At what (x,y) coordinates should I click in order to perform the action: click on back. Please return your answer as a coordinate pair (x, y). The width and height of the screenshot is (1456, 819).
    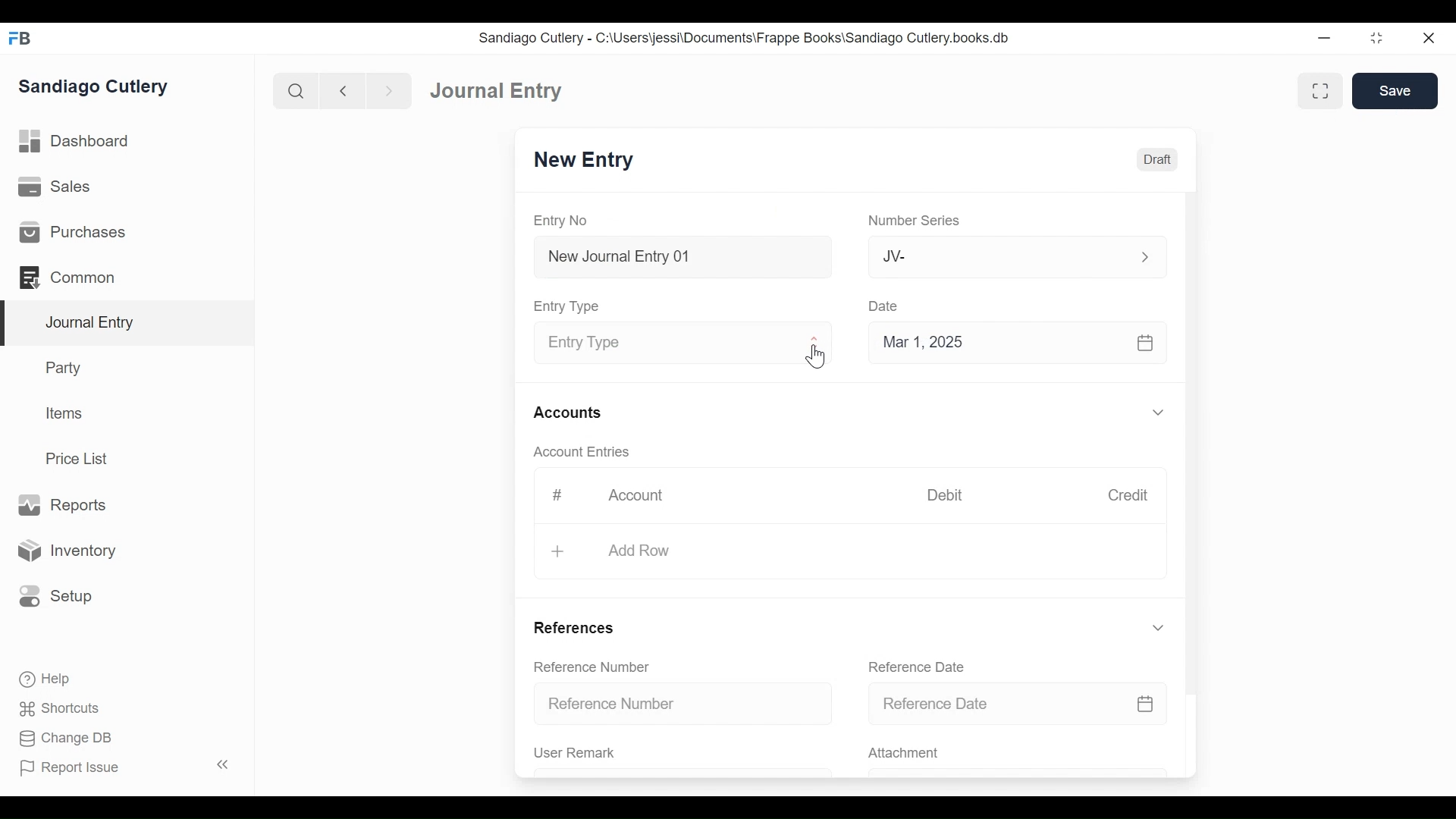
    Looking at the image, I should click on (343, 89).